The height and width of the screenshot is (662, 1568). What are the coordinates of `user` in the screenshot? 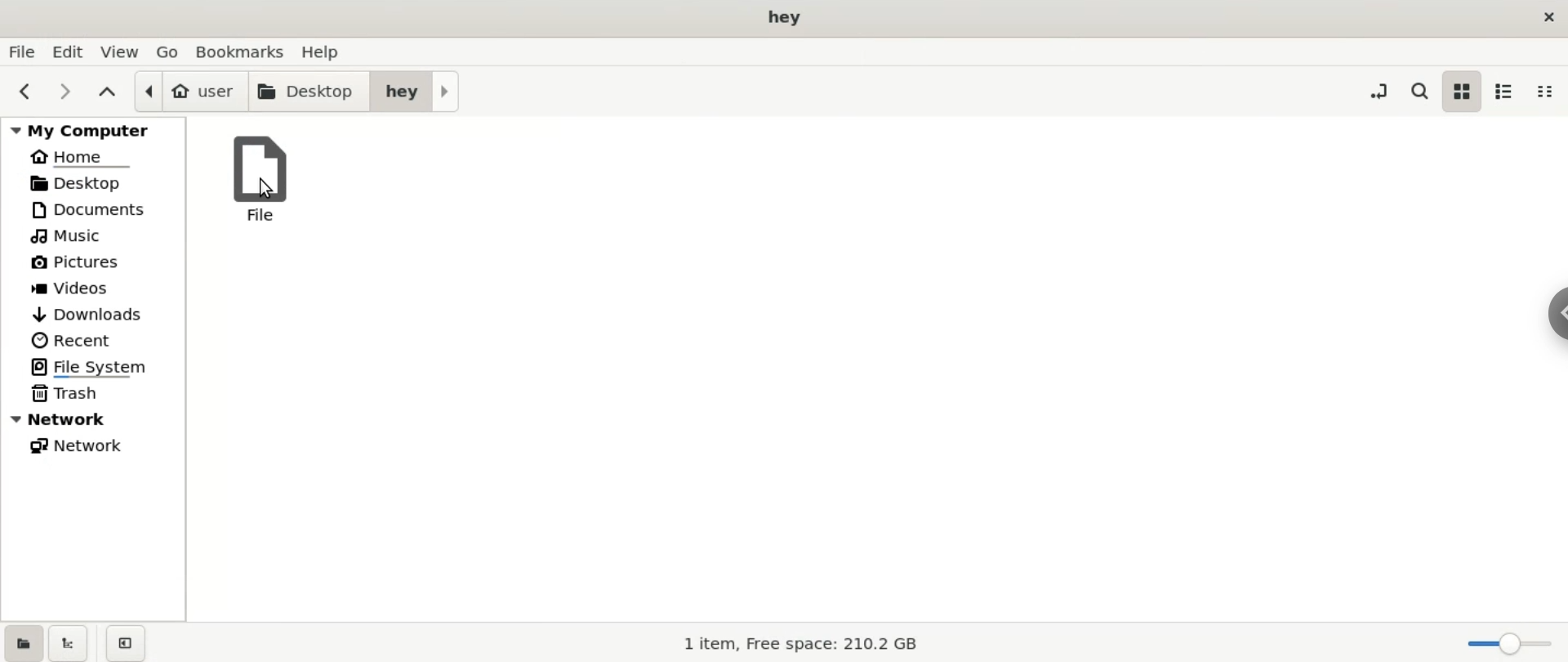 It's located at (191, 92).